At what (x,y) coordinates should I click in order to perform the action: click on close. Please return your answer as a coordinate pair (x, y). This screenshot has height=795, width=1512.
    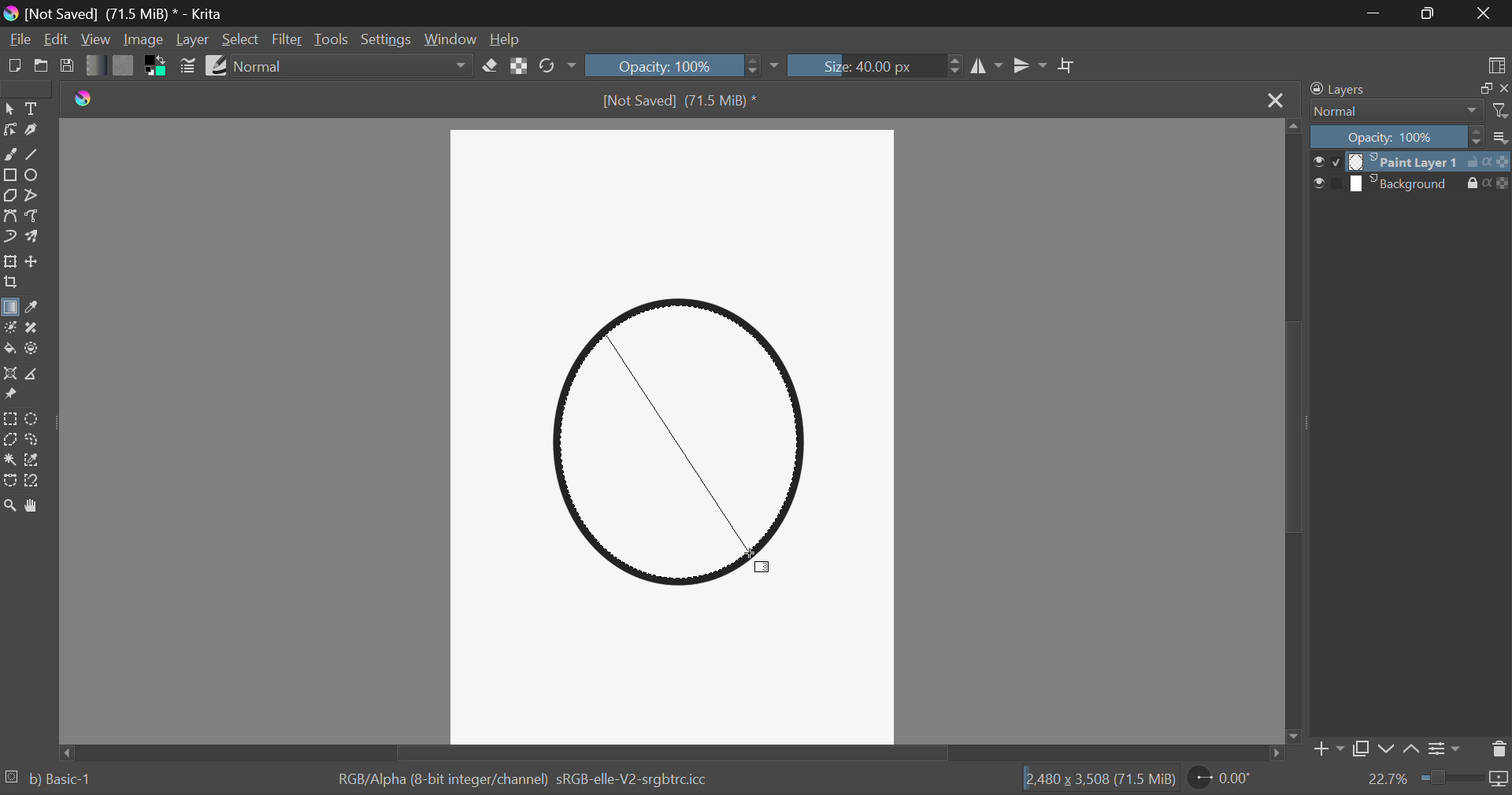
    Looking at the image, I should click on (1504, 87).